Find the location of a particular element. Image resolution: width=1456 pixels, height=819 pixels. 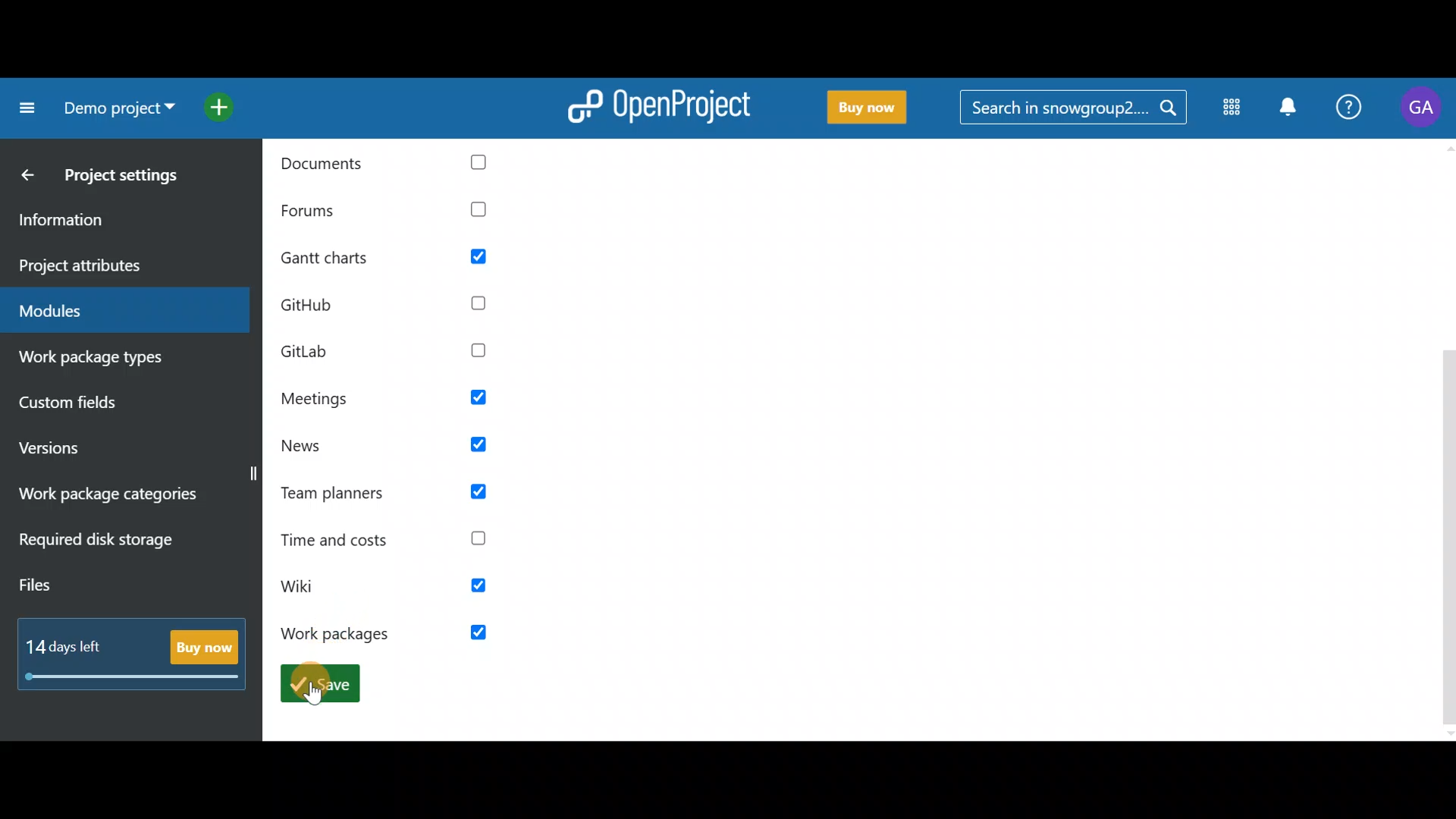

Team planners is located at coordinates (390, 493).